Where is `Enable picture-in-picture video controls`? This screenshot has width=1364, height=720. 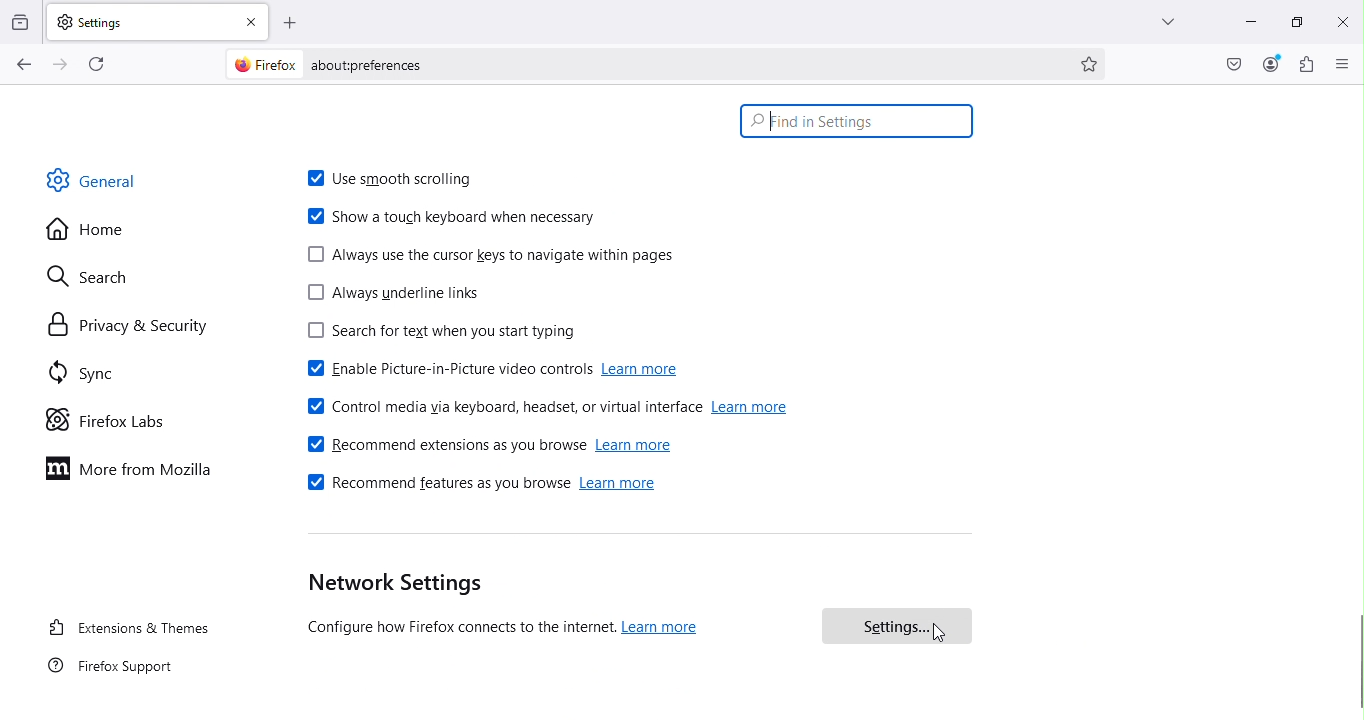 Enable picture-in-picture video controls is located at coordinates (444, 371).